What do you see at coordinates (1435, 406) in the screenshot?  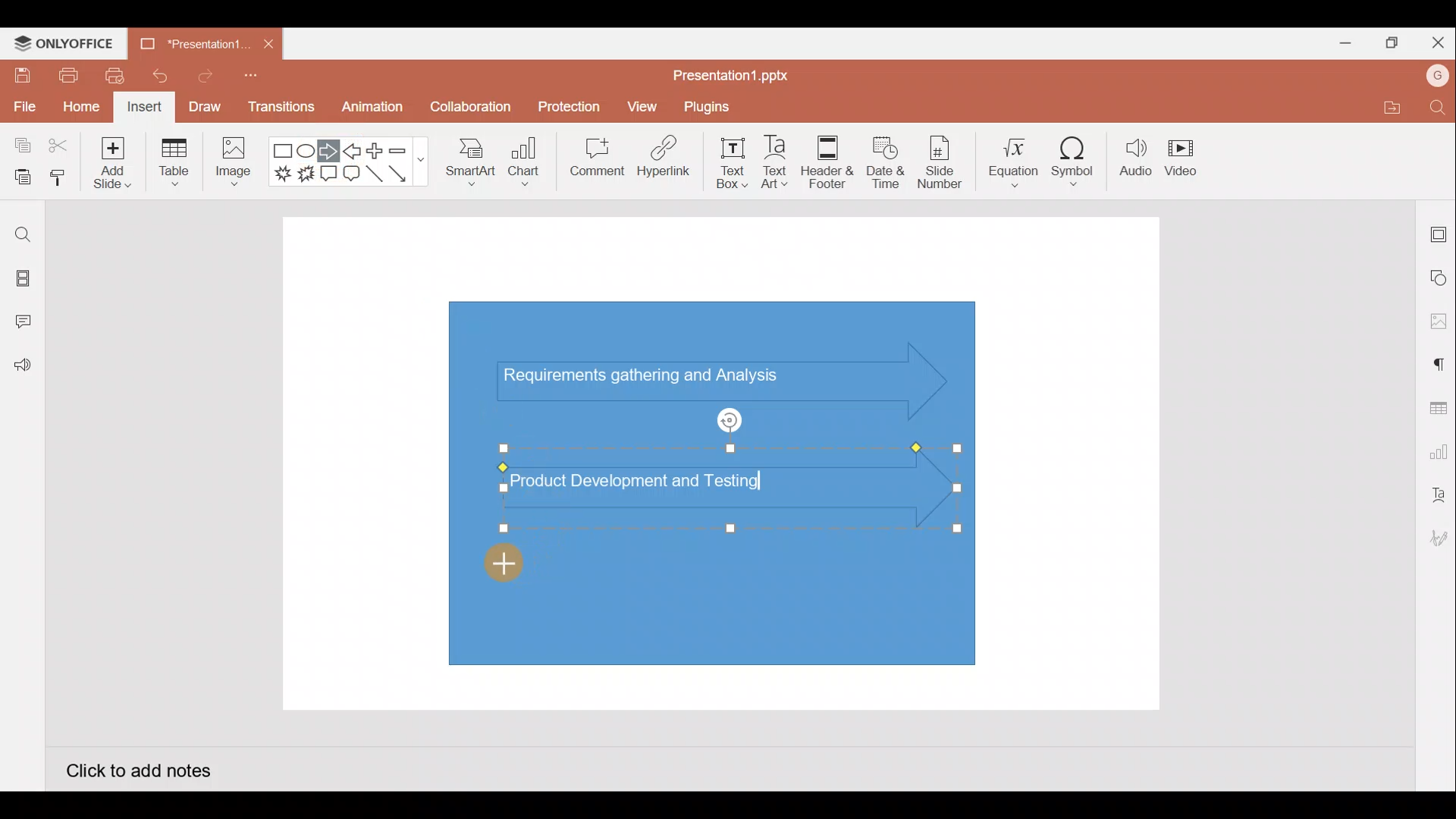 I see `Table settings` at bounding box center [1435, 406].